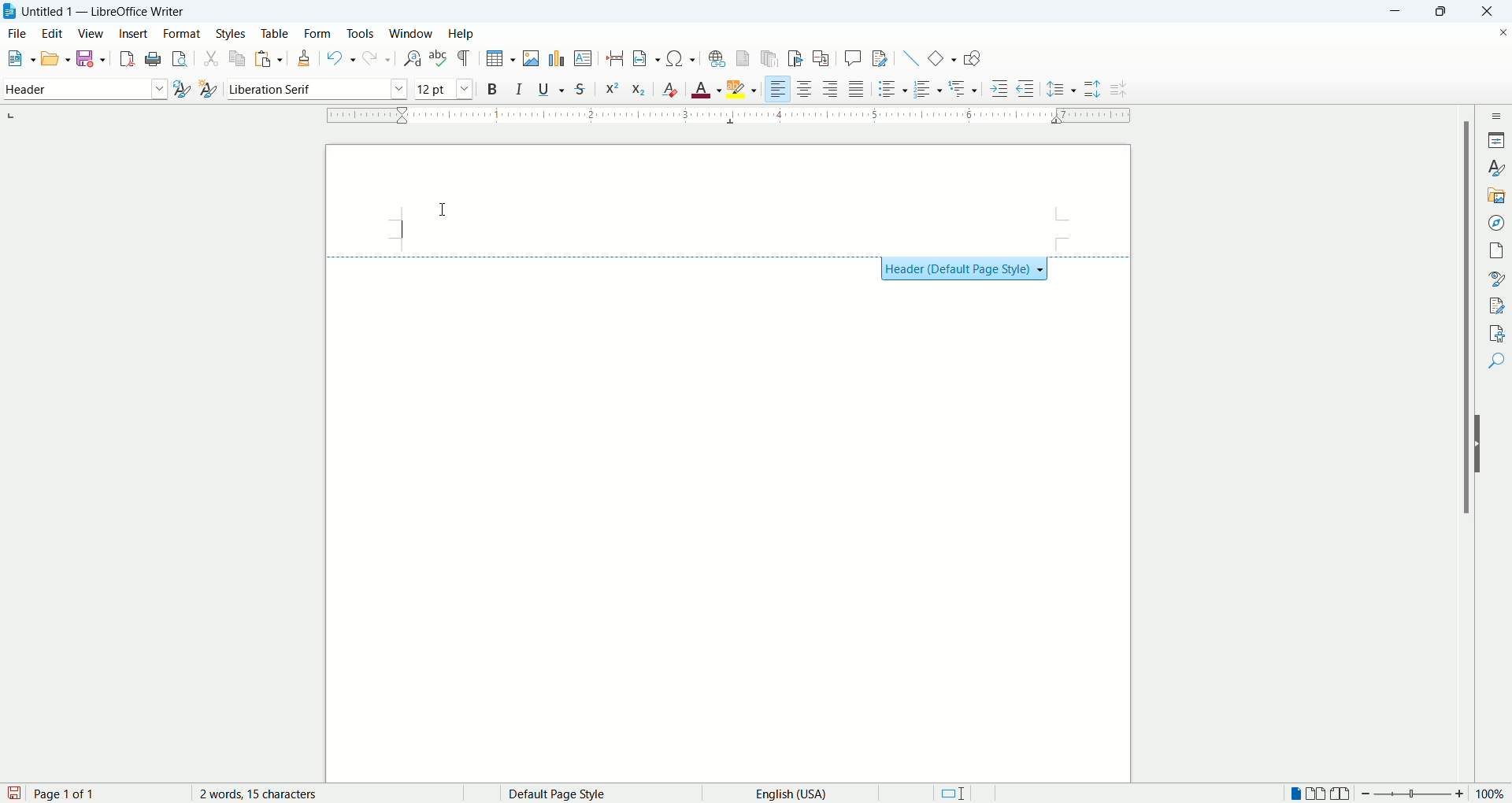 The image size is (1512, 803). What do you see at coordinates (615, 57) in the screenshot?
I see `insert page break` at bounding box center [615, 57].